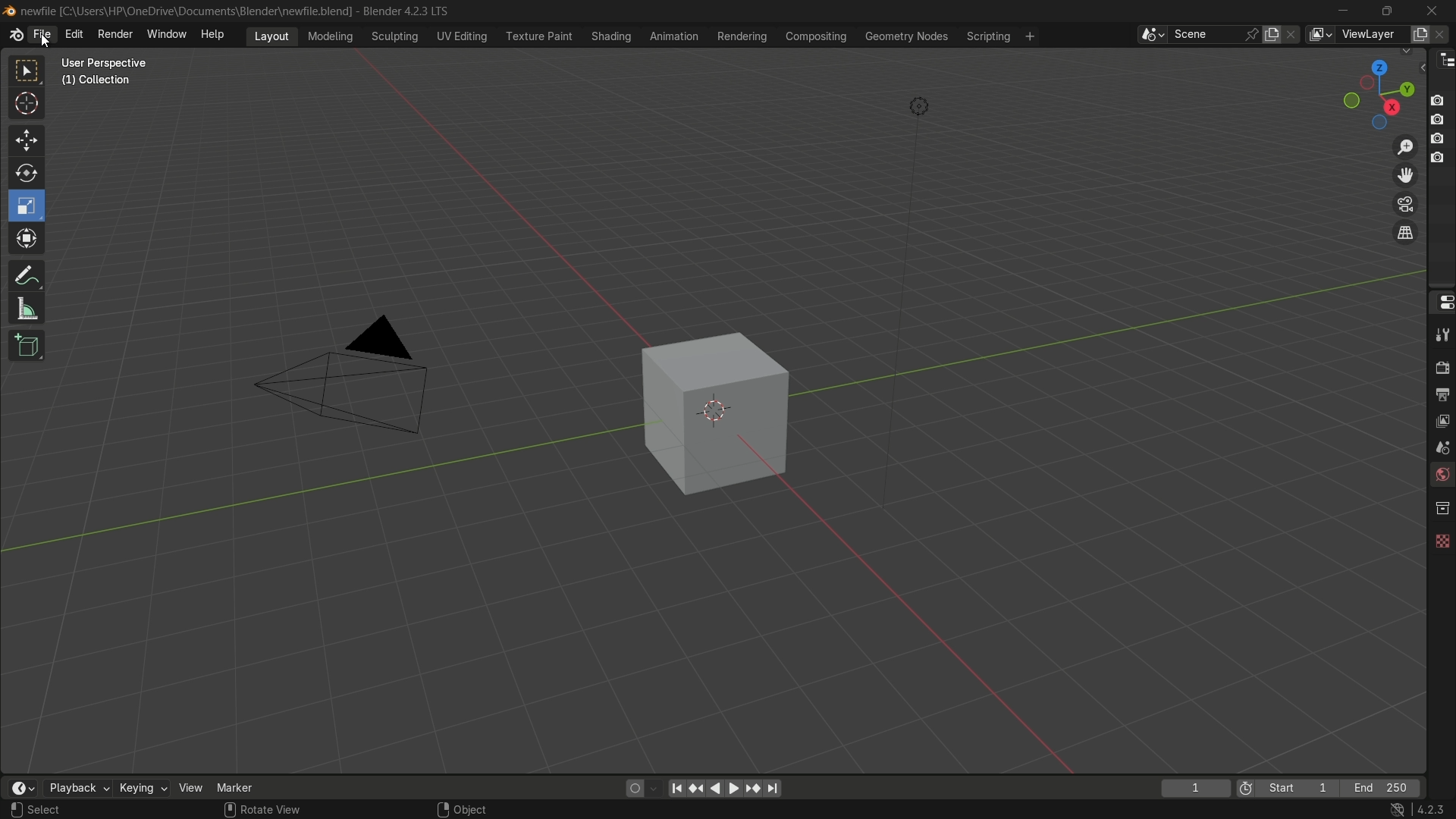 The width and height of the screenshot is (1456, 819). Describe the element at coordinates (1405, 202) in the screenshot. I see `toggle camera view layer` at that location.